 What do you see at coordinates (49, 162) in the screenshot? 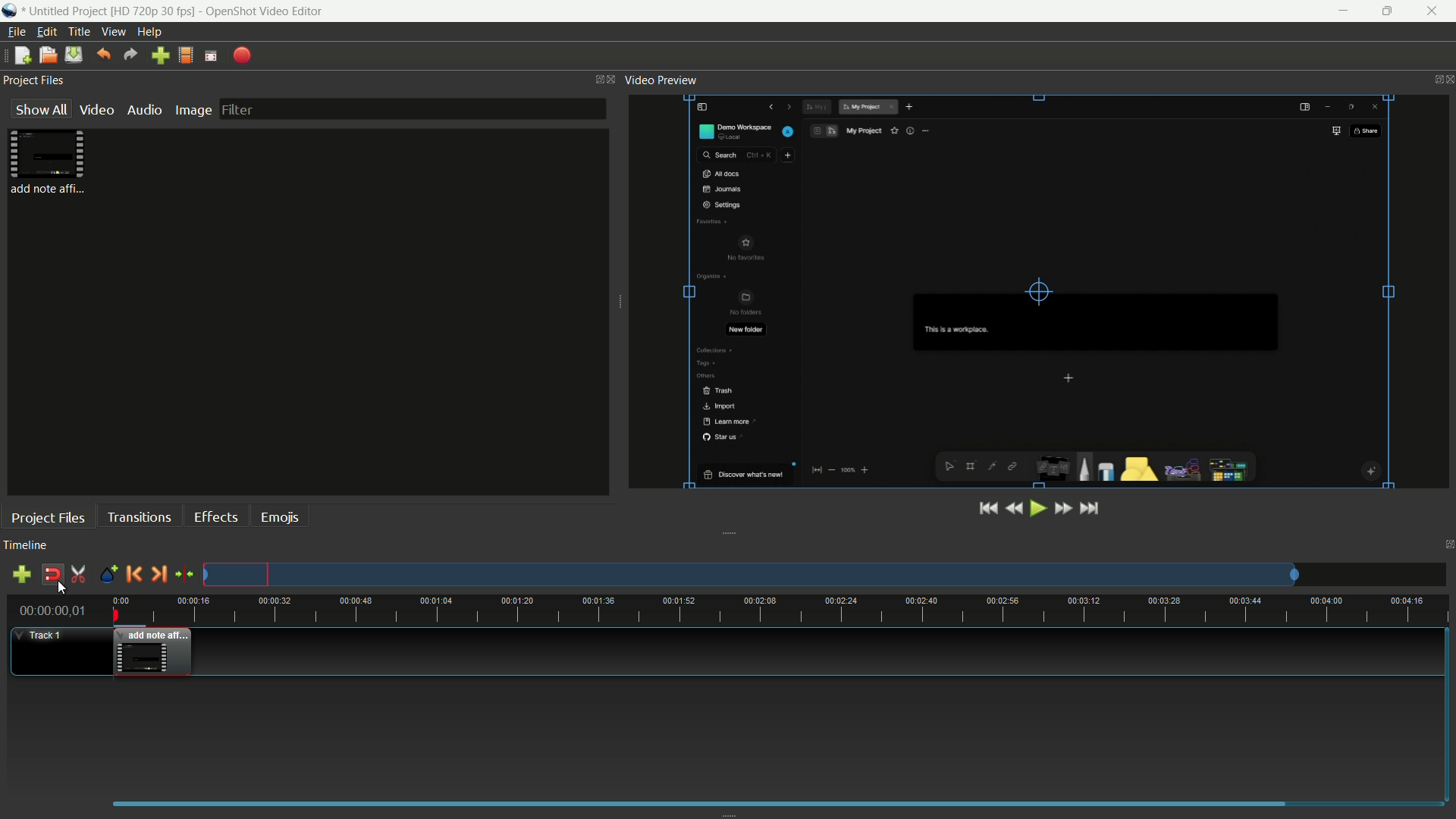
I see `project file` at bounding box center [49, 162].